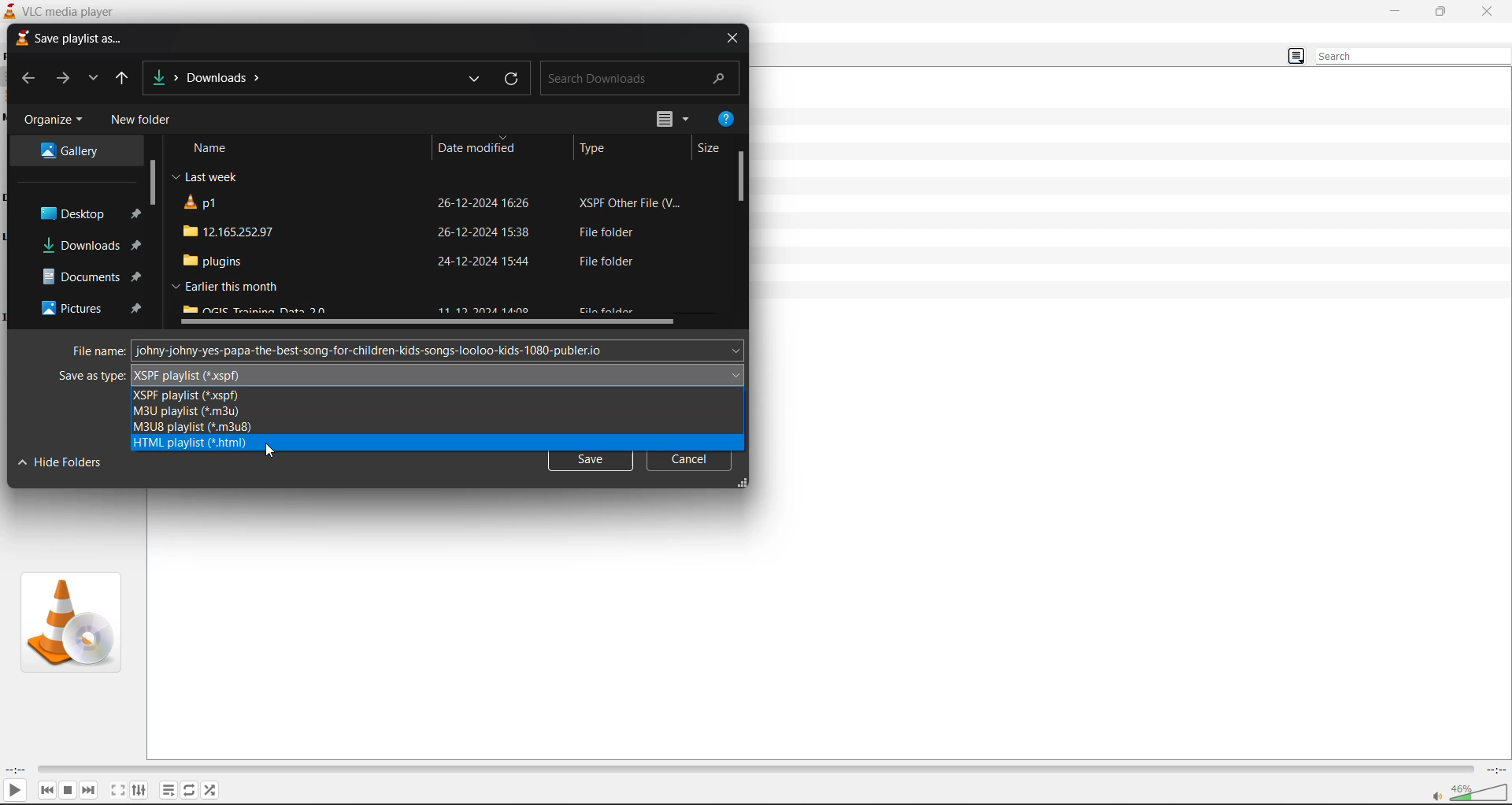 The height and width of the screenshot is (805, 1512). I want to click on m3u8 playlist, so click(192, 428).